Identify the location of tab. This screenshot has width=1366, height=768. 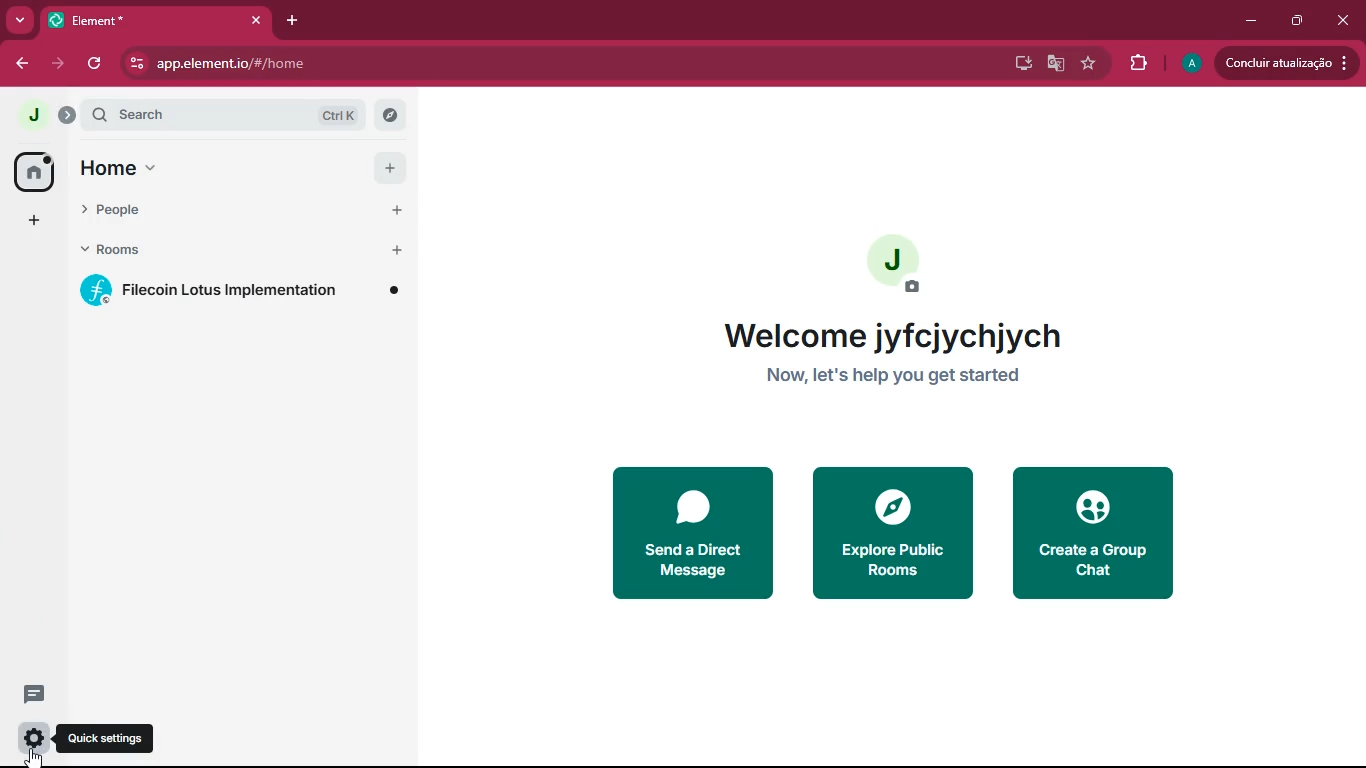
(128, 20).